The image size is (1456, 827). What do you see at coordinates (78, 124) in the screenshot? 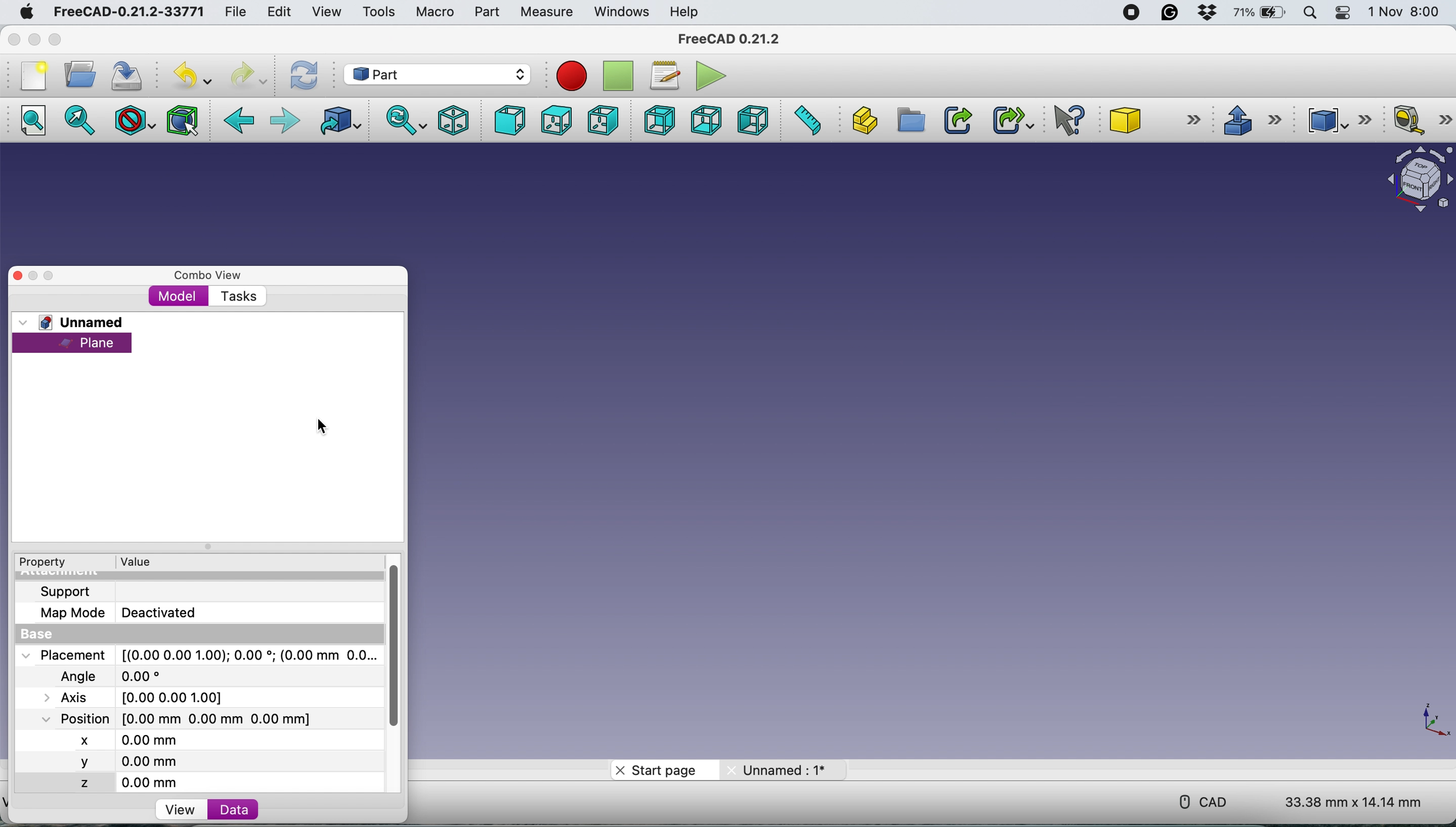
I see `fit selection` at bounding box center [78, 124].